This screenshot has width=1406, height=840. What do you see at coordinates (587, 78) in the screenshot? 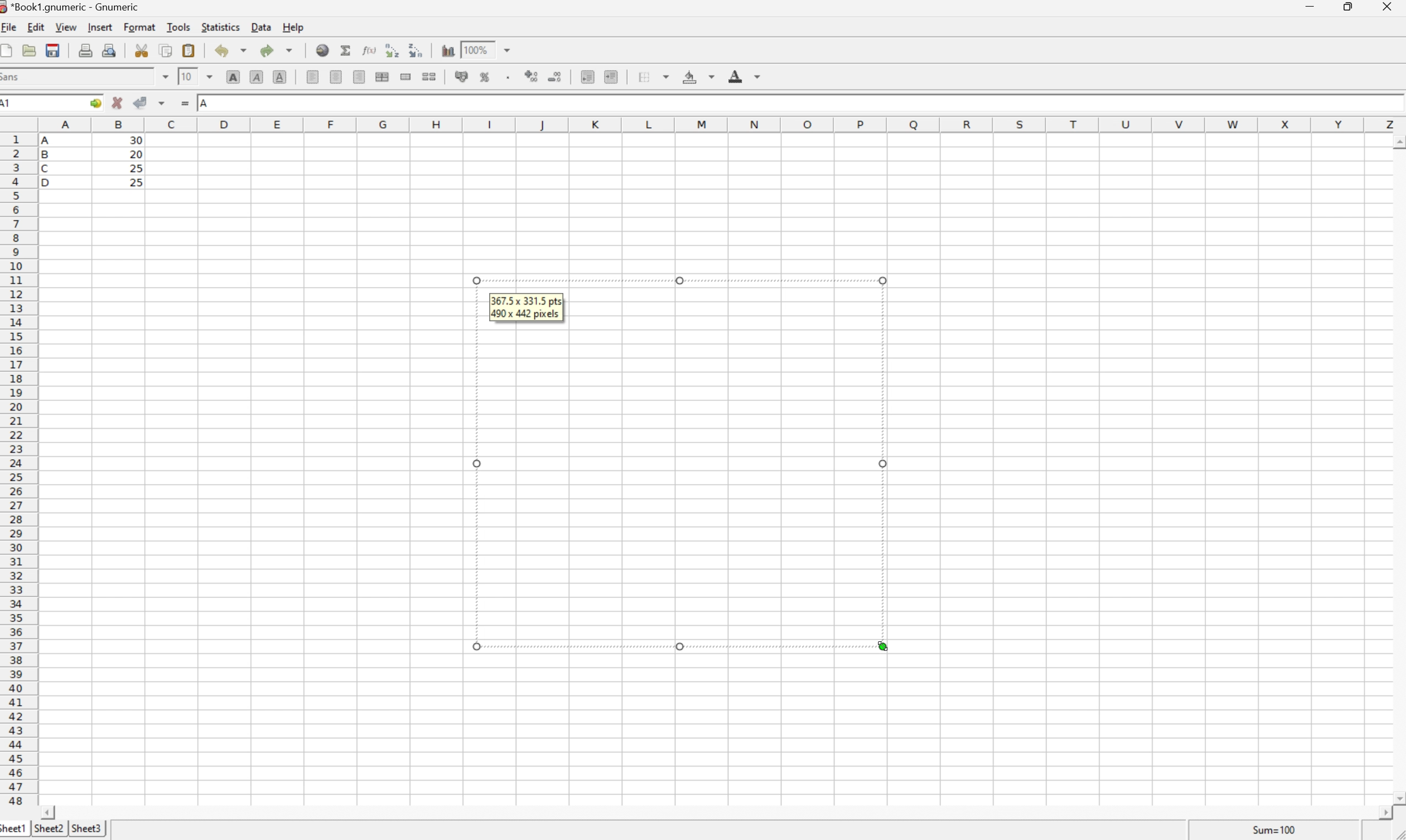
I see `Decrease indent, and align the contents to the left` at bounding box center [587, 78].